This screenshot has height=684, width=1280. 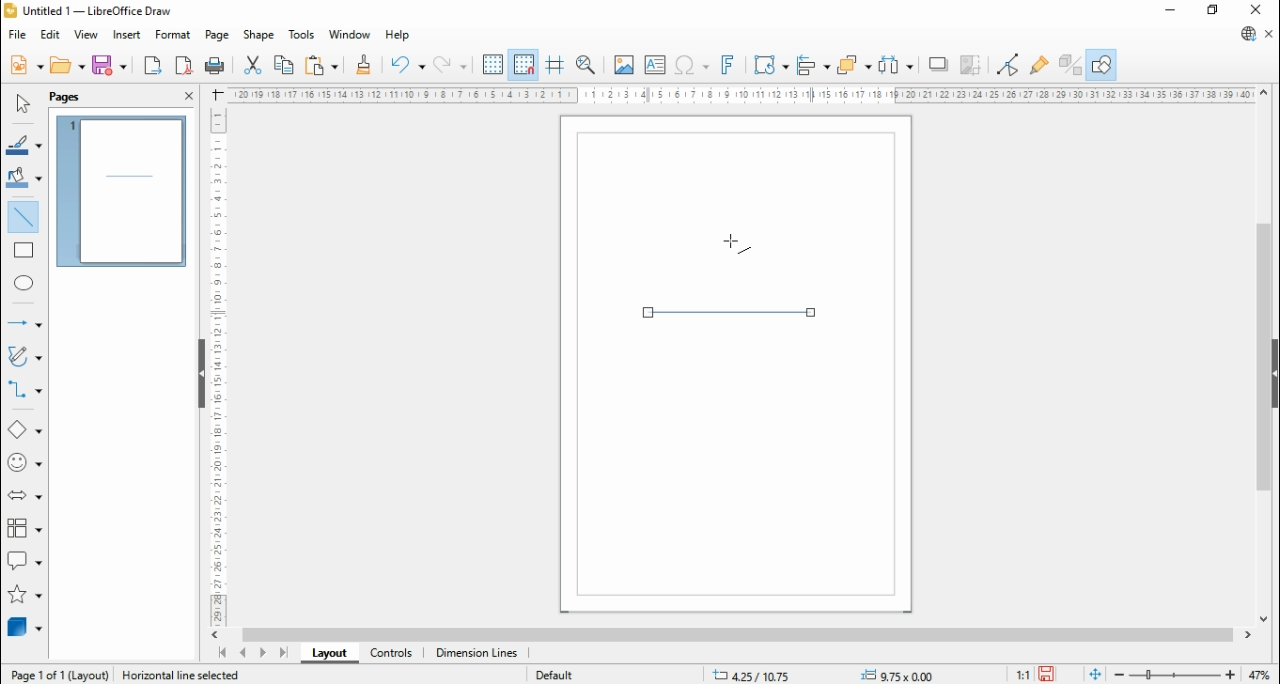 What do you see at coordinates (24, 215) in the screenshot?
I see `insert line` at bounding box center [24, 215].